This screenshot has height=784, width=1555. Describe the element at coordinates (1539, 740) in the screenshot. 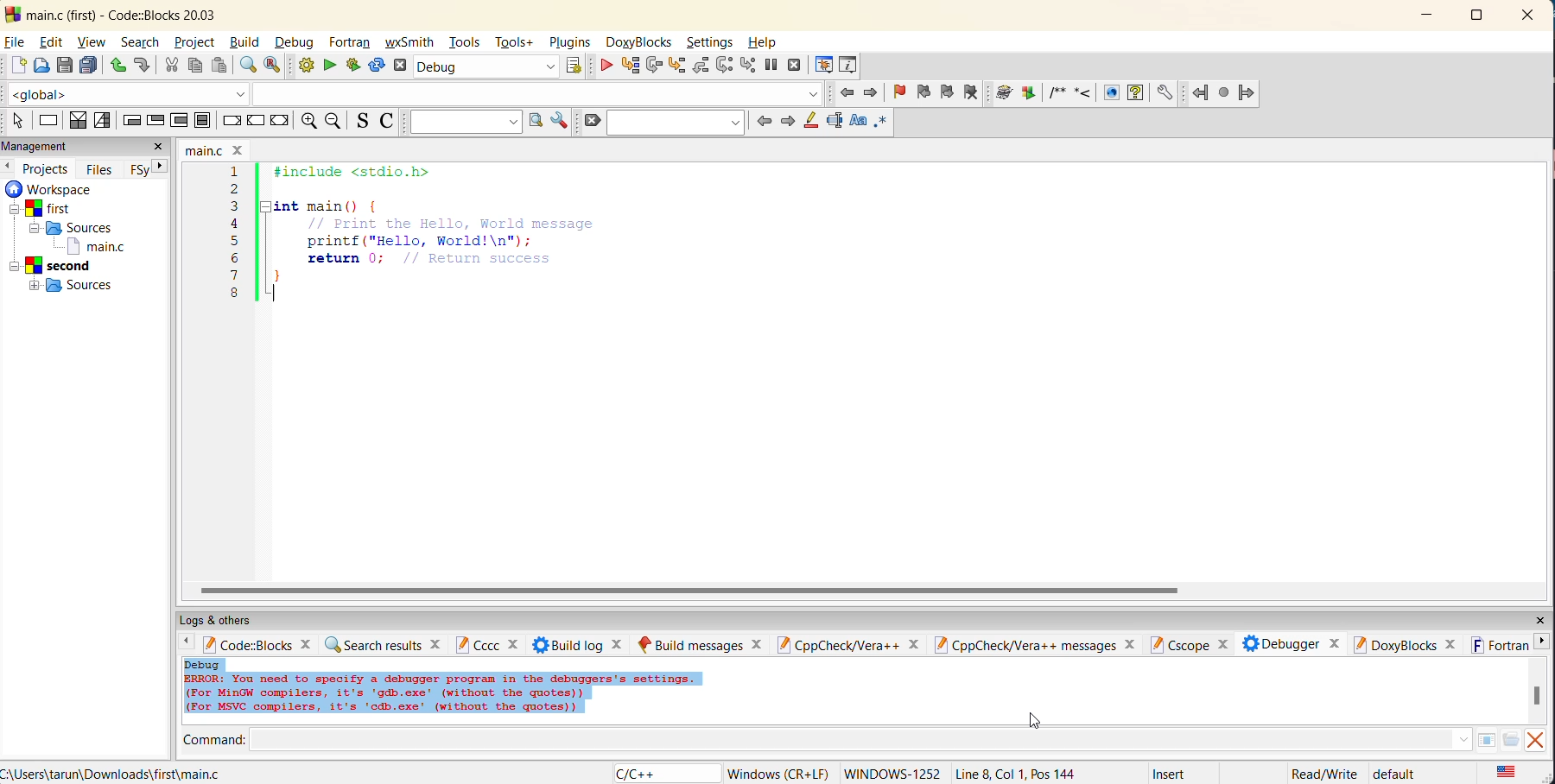

I see `close output window` at that location.